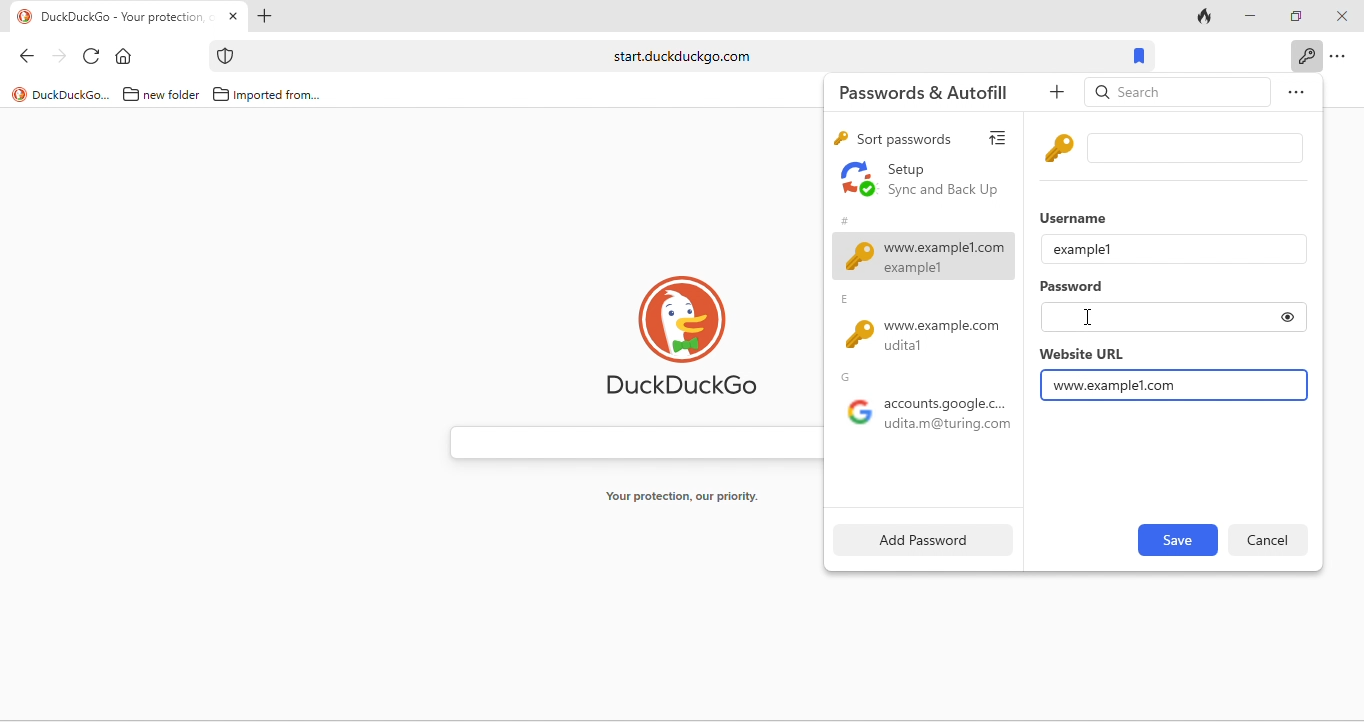  I want to click on add new tab, so click(267, 16).